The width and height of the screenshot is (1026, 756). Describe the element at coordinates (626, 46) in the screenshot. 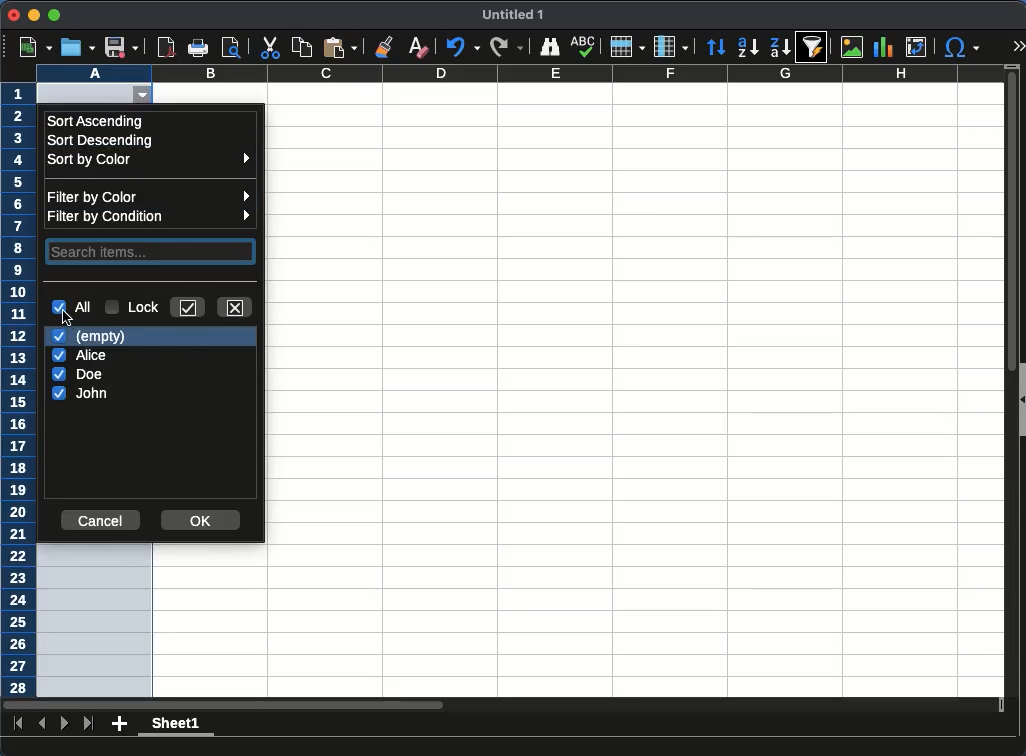

I see `row` at that location.